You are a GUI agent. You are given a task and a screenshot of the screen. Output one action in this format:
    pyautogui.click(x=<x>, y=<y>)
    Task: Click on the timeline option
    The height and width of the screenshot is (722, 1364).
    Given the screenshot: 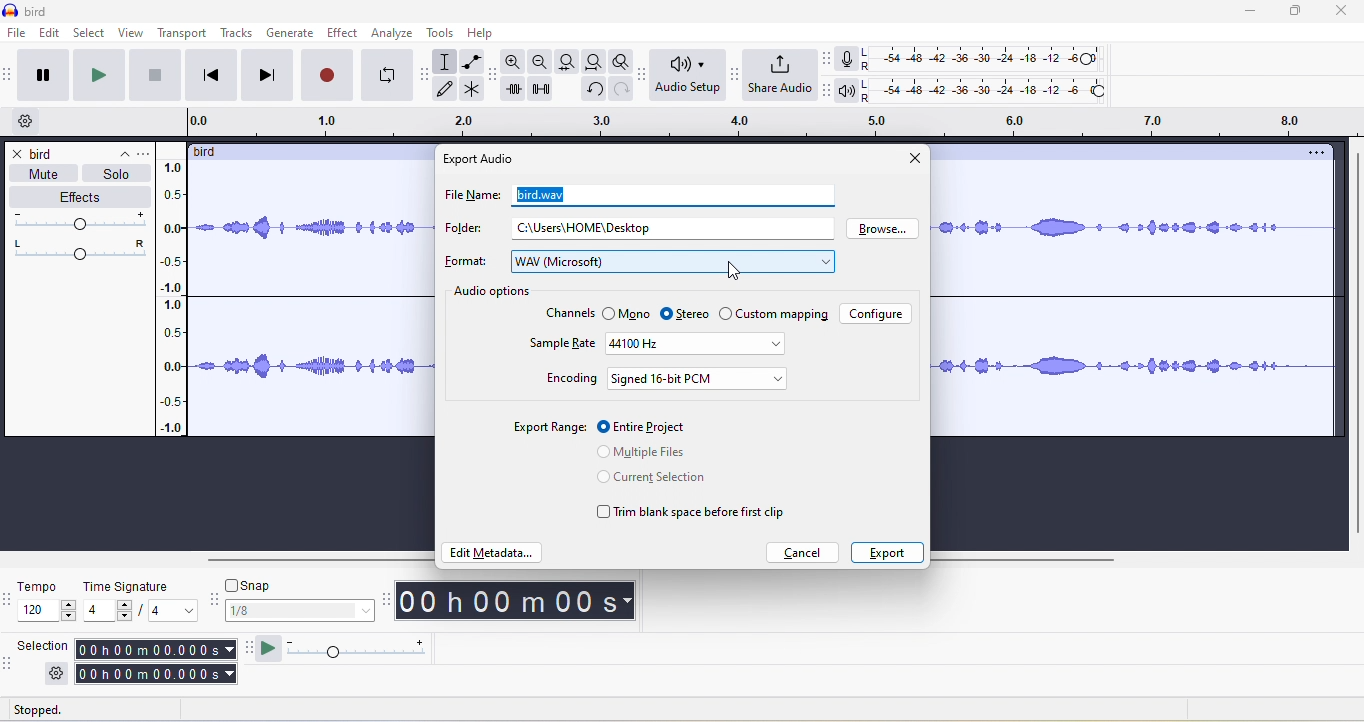 What is the action you would take?
    pyautogui.click(x=29, y=122)
    